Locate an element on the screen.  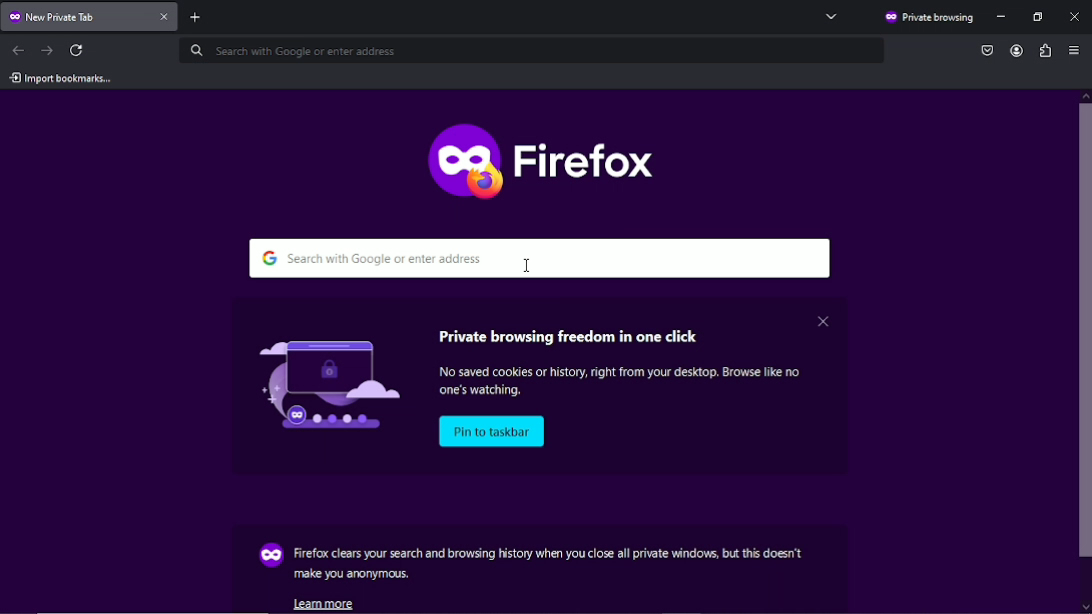
vertical scrollbar is located at coordinates (1085, 356).